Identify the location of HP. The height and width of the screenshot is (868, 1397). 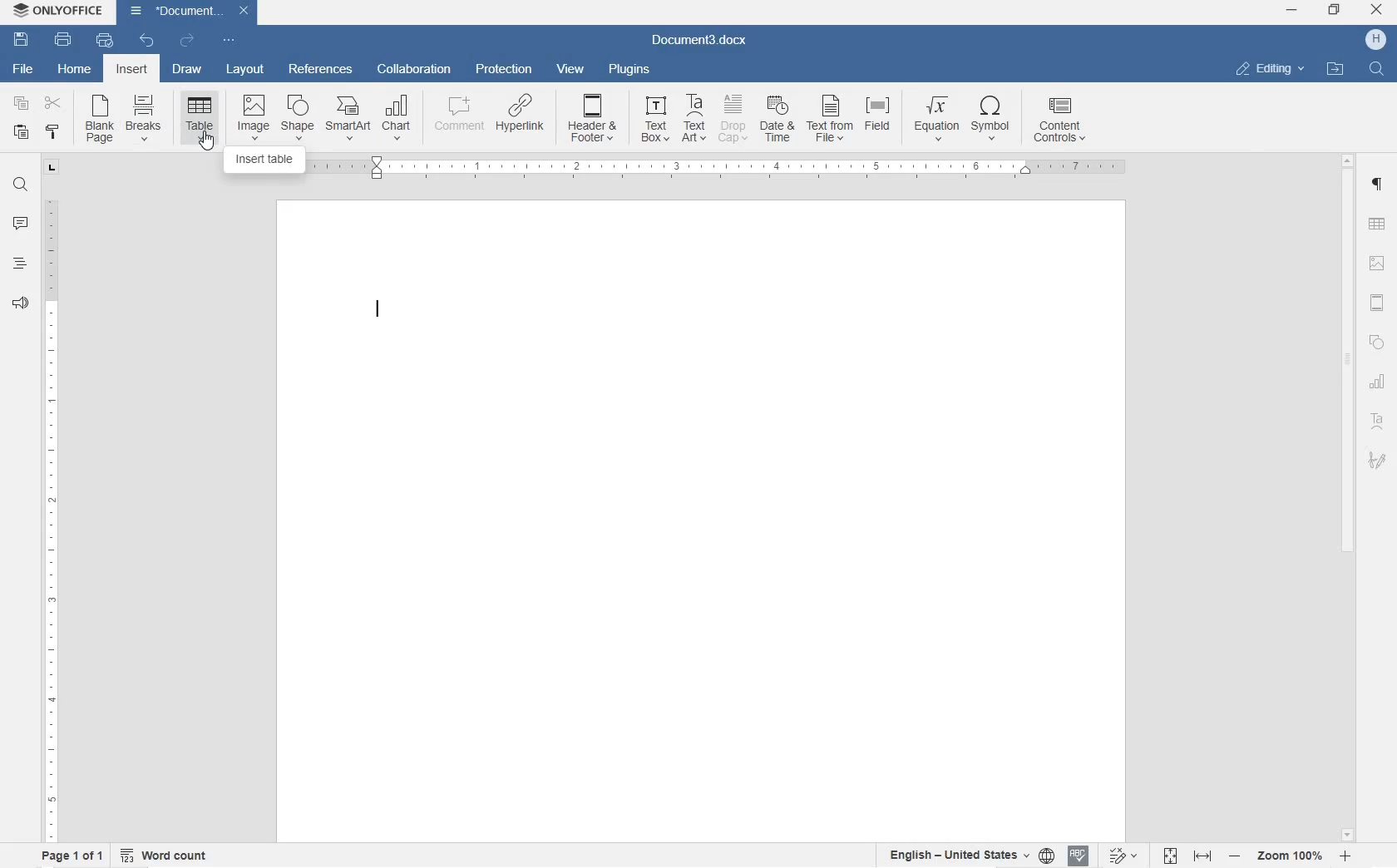
(1375, 40).